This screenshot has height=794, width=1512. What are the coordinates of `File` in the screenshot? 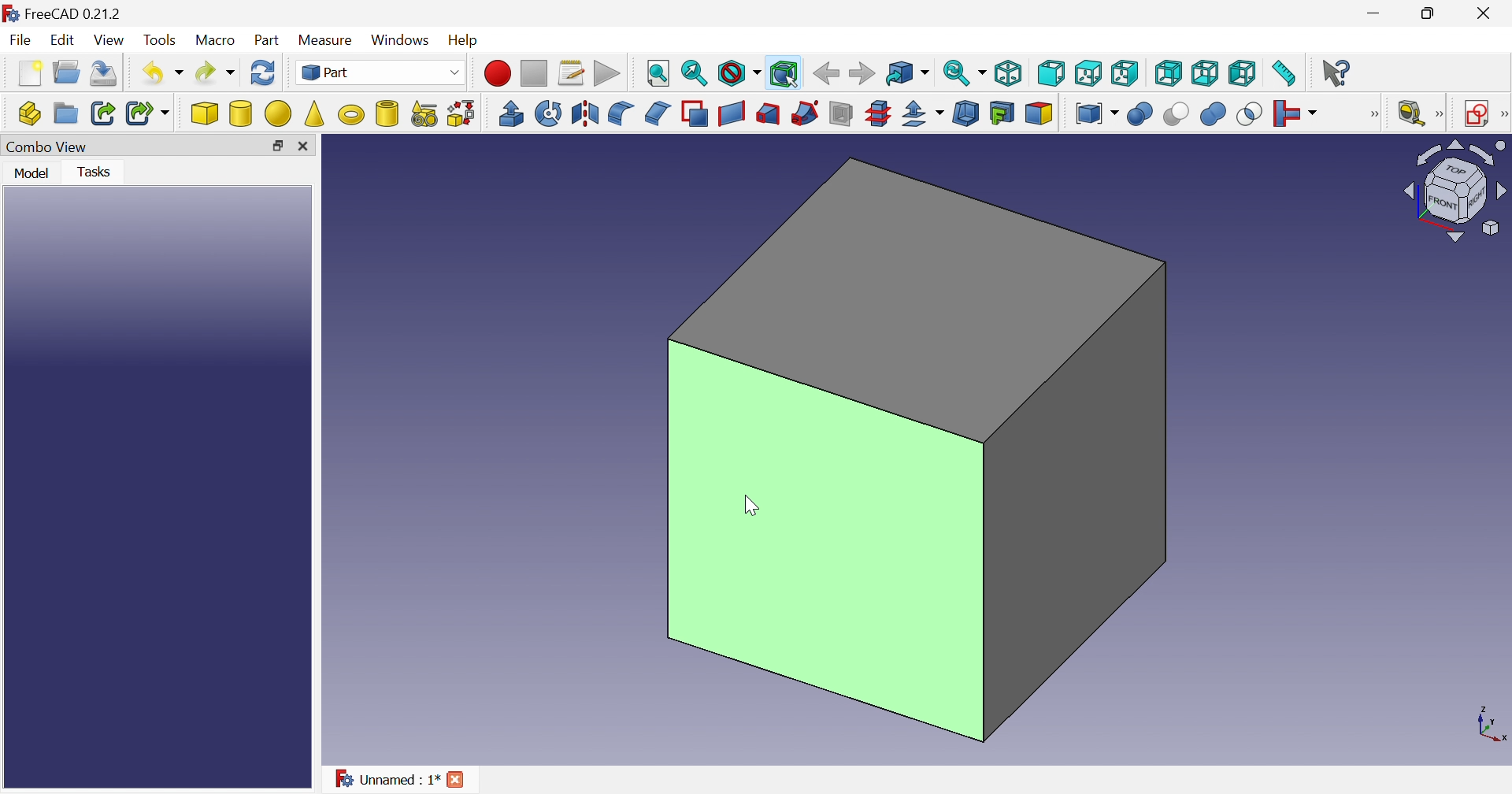 It's located at (21, 42).